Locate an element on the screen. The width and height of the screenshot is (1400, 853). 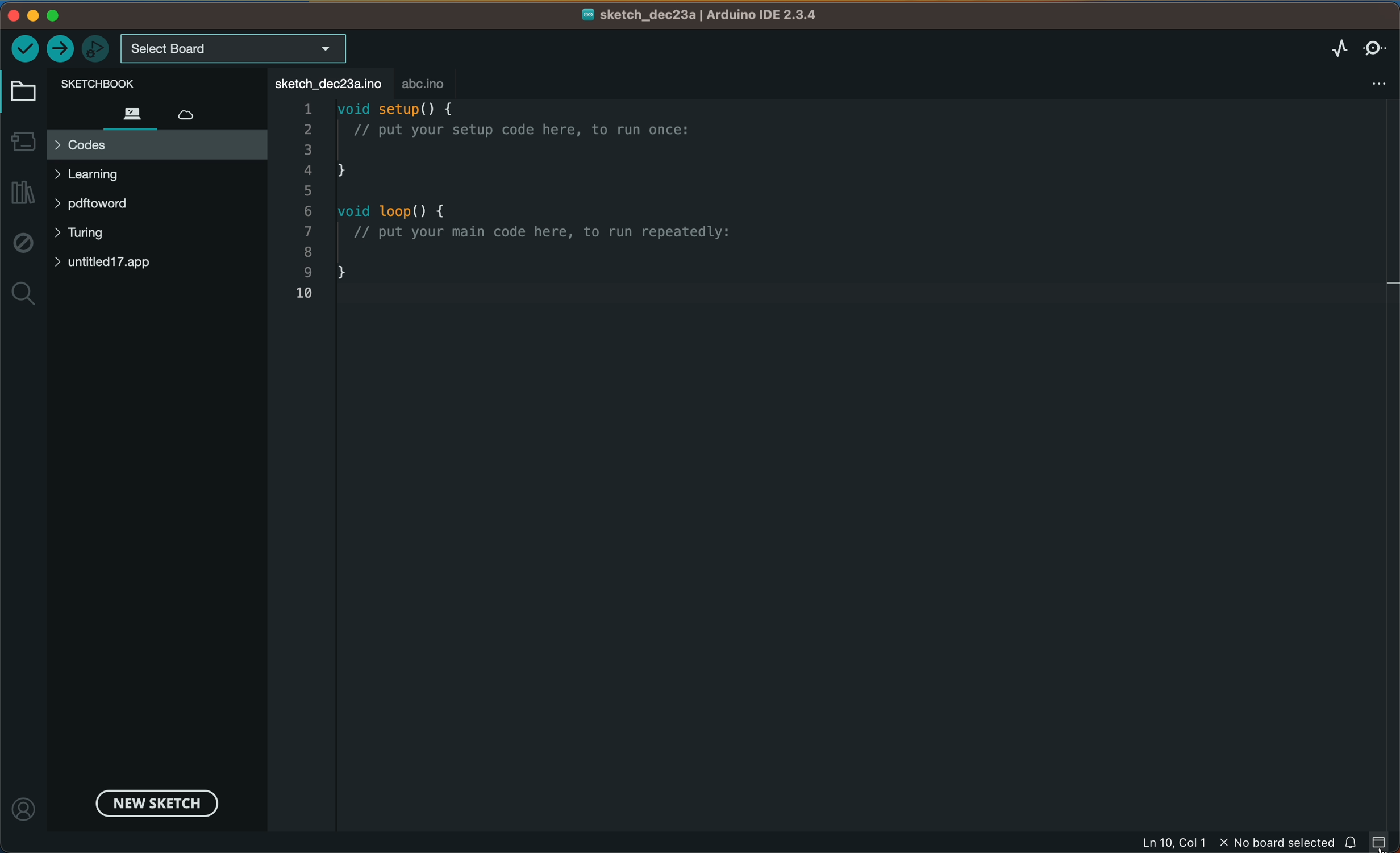
file tab is located at coordinates (326, 83).